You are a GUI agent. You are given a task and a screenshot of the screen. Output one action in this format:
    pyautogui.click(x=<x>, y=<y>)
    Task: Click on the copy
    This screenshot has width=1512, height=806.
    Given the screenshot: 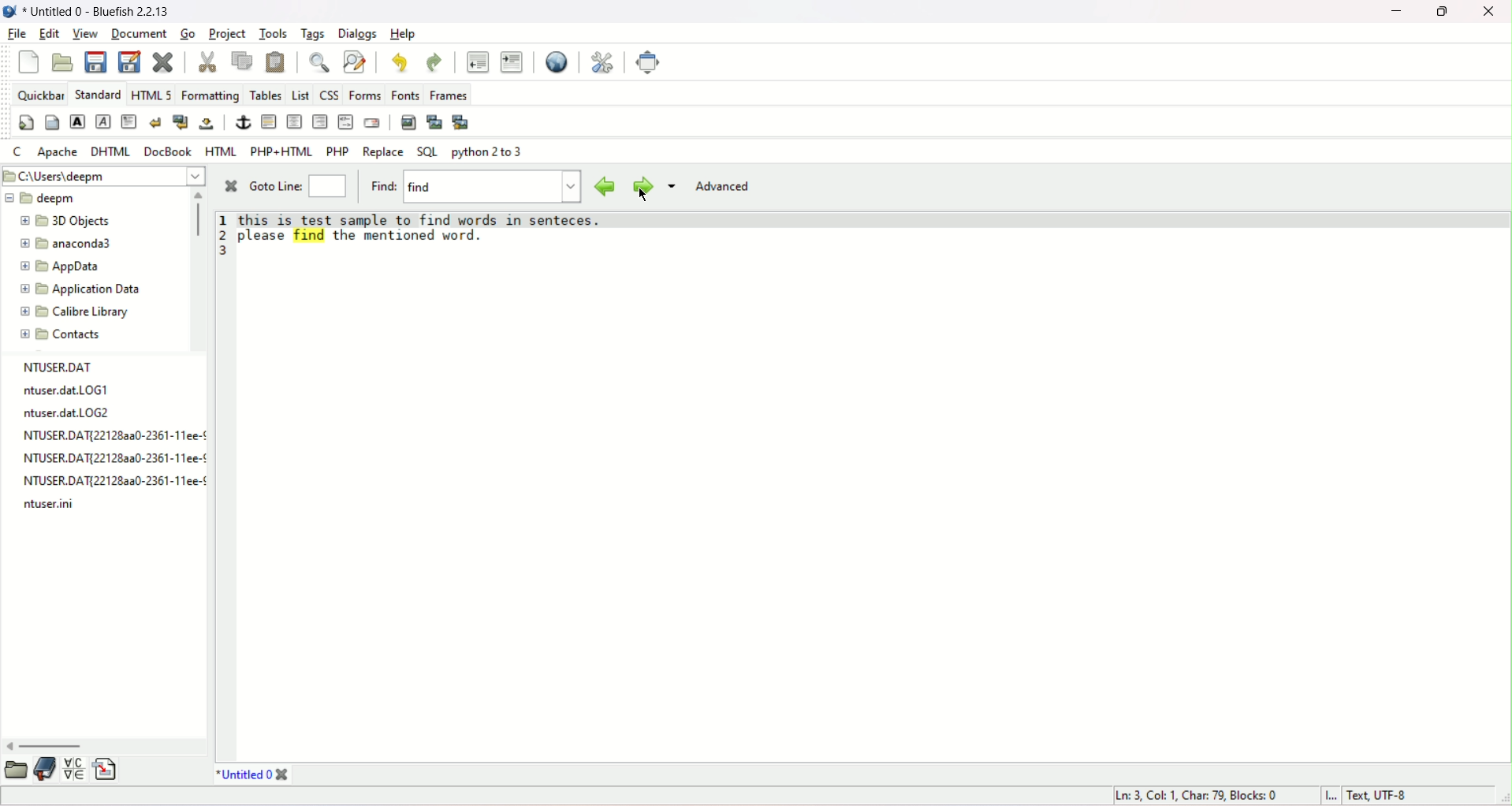 What is the action you would take?
    pyautogui.click(x=240, y=60)
    